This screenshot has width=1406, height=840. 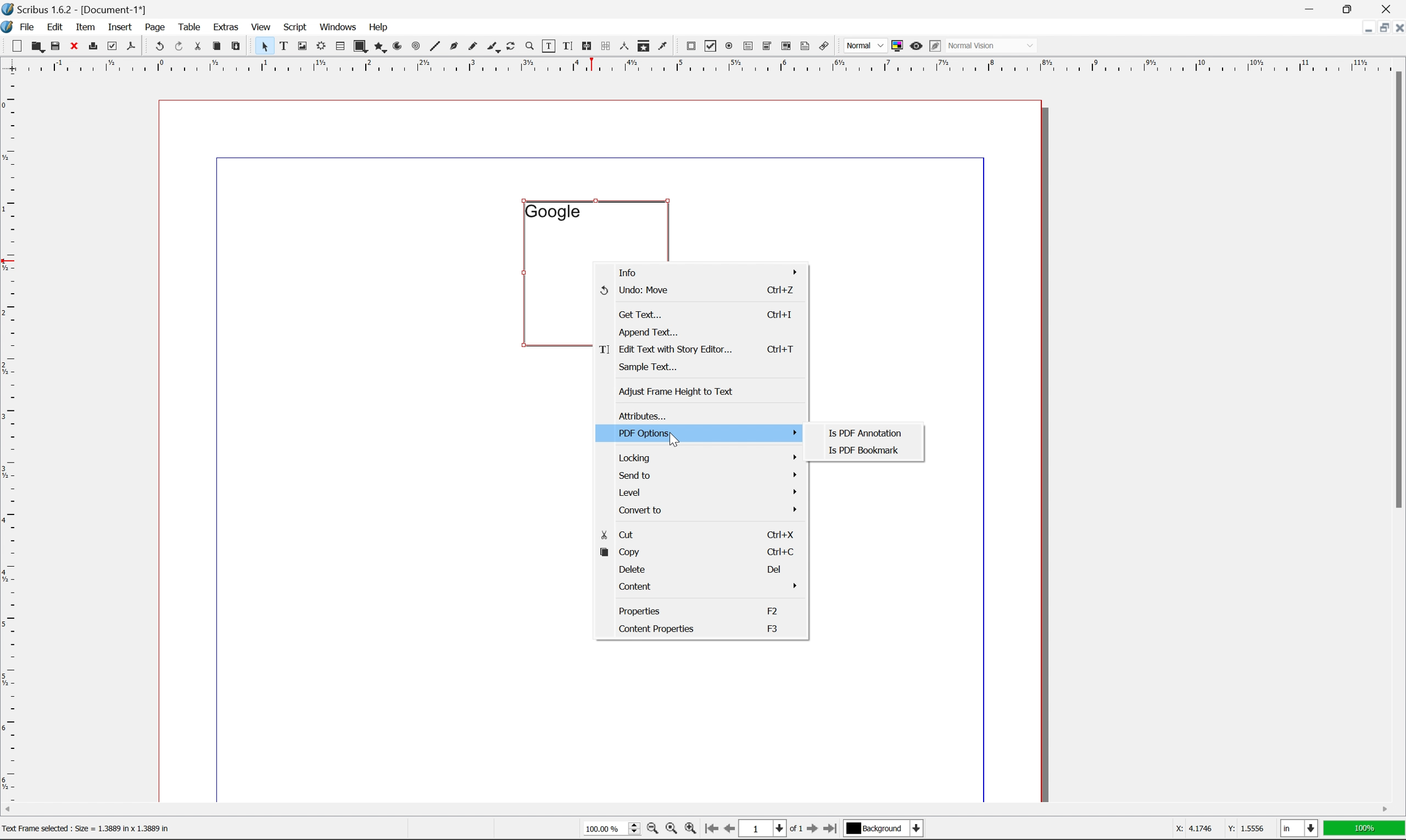 What do you see at coordinates (830, 829) in the screenshot?
I see `go to last page` at bounding box center [830, 829].